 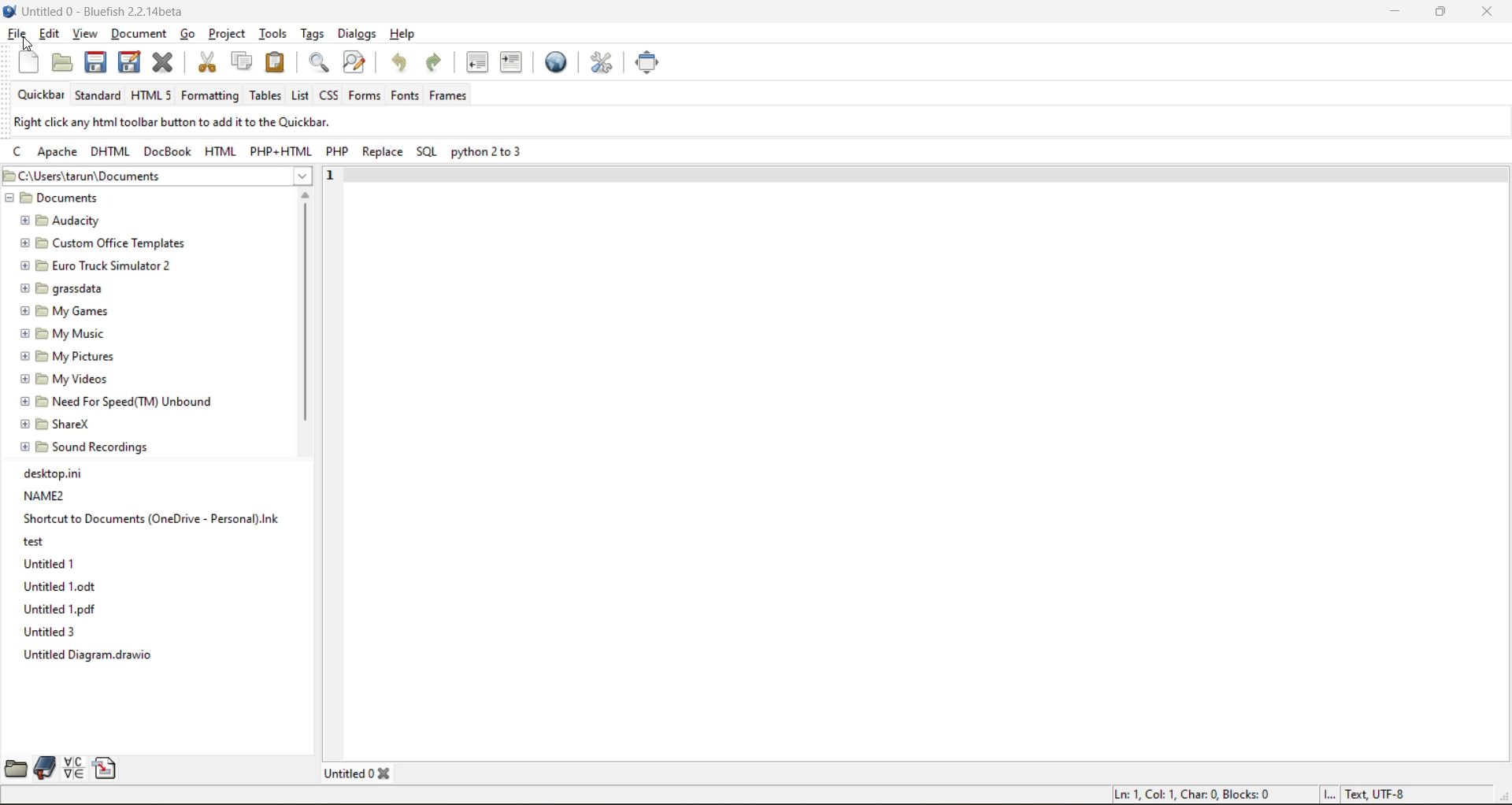 What do you see at coordinates (16, 768) in the screenshot?
I see `file browser` at bounding box center [16, 768].